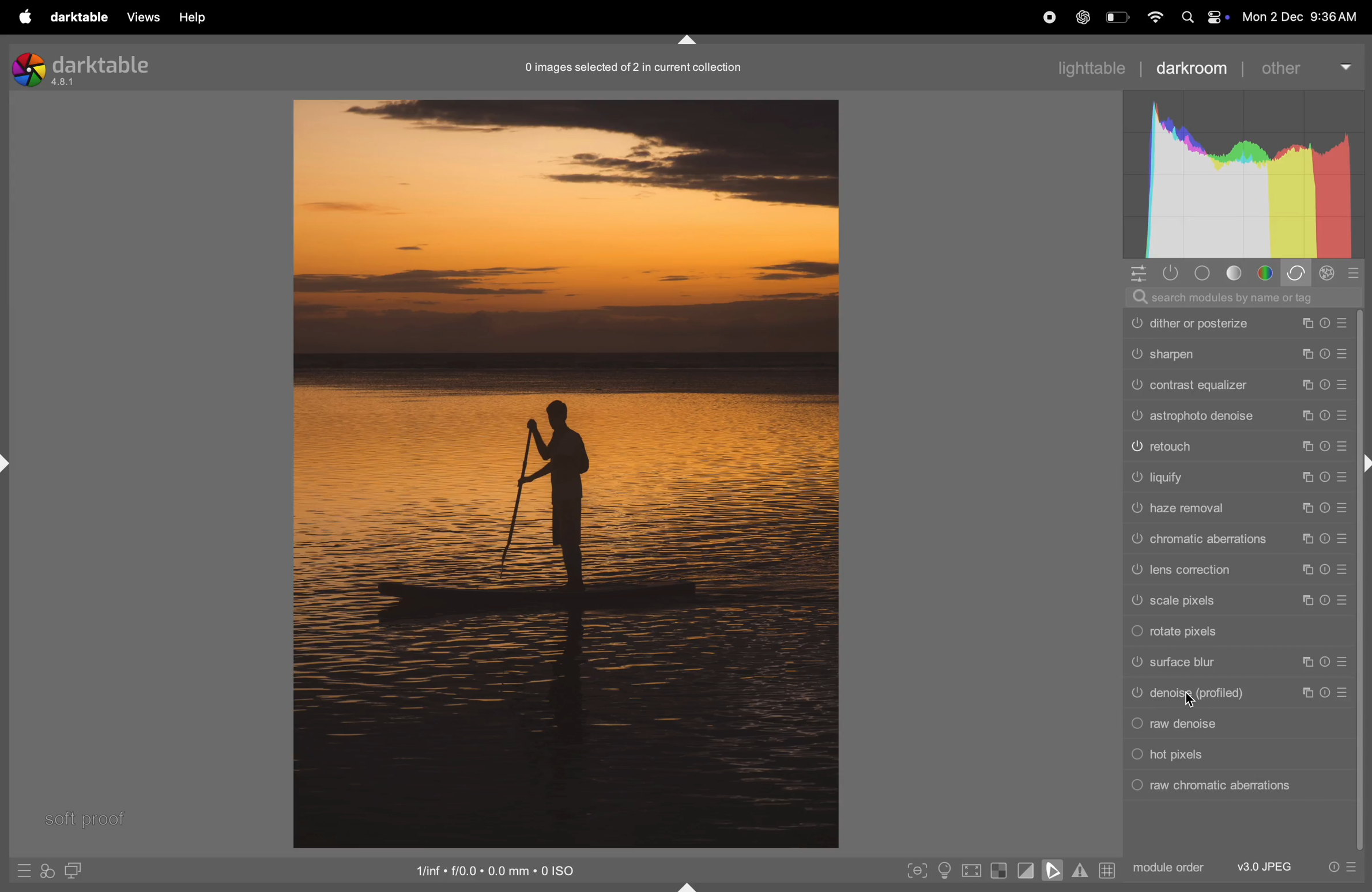 The height and width of the screenshot is (892, 1372). I want to click on dither or posterize, so click(1238, 322).